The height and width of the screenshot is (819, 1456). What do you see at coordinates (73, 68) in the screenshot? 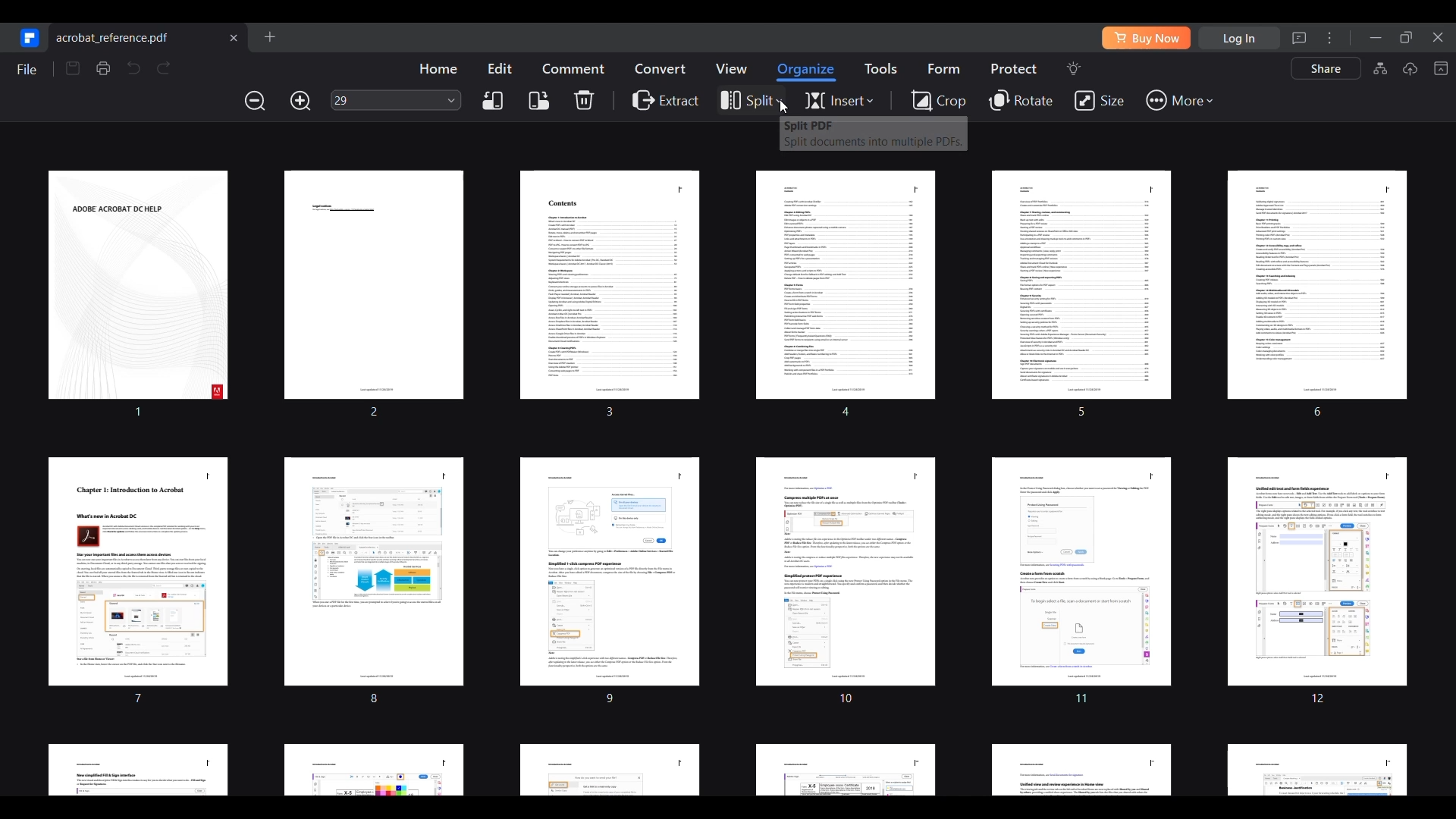
I see `Save` at bounding box center [73, 68].